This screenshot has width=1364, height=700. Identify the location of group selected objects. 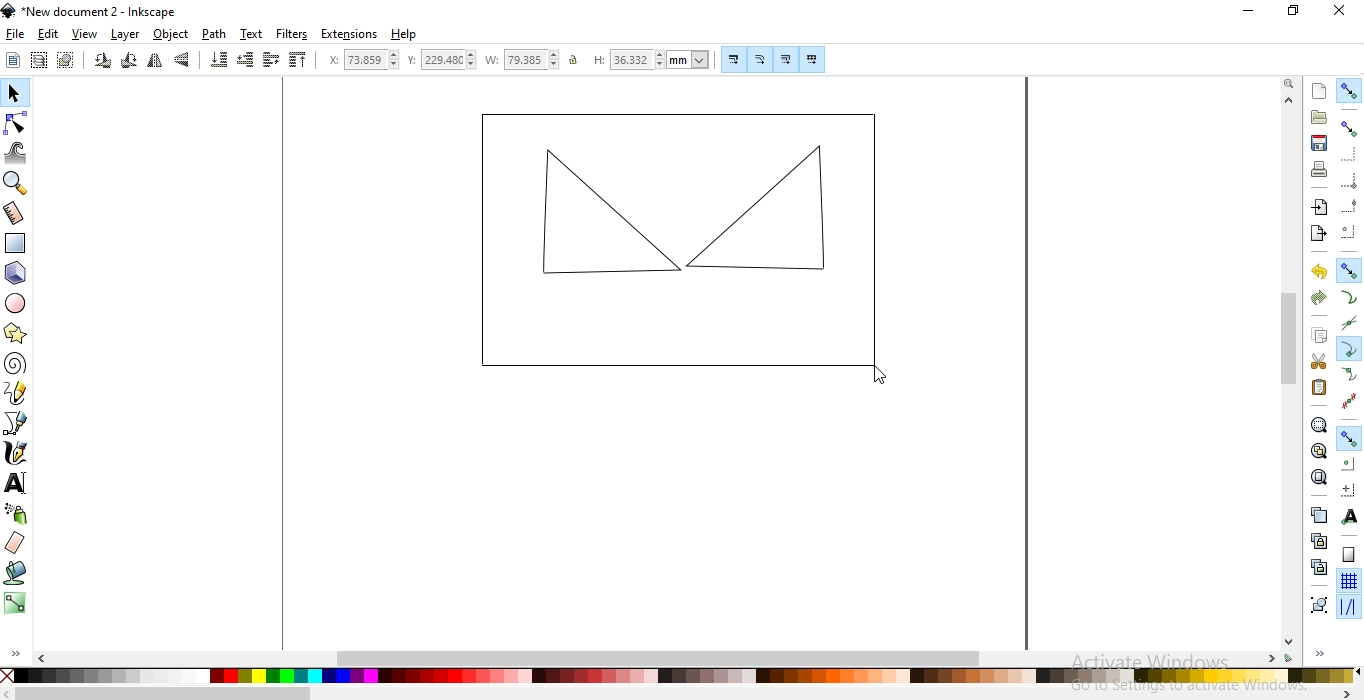
(1321, 605).